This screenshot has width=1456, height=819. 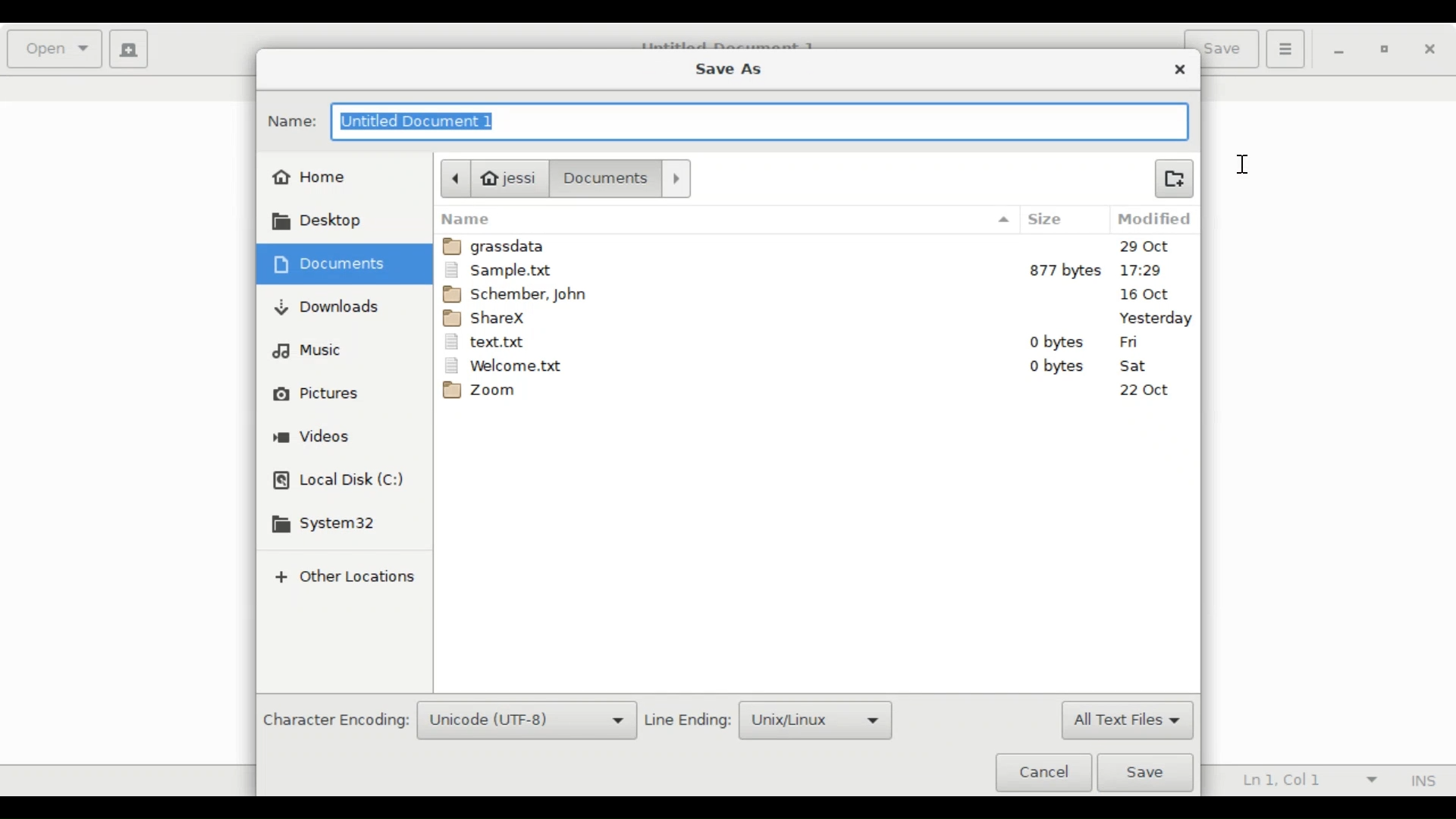 I want to click on Create a new document, so click(x=130, y=49).